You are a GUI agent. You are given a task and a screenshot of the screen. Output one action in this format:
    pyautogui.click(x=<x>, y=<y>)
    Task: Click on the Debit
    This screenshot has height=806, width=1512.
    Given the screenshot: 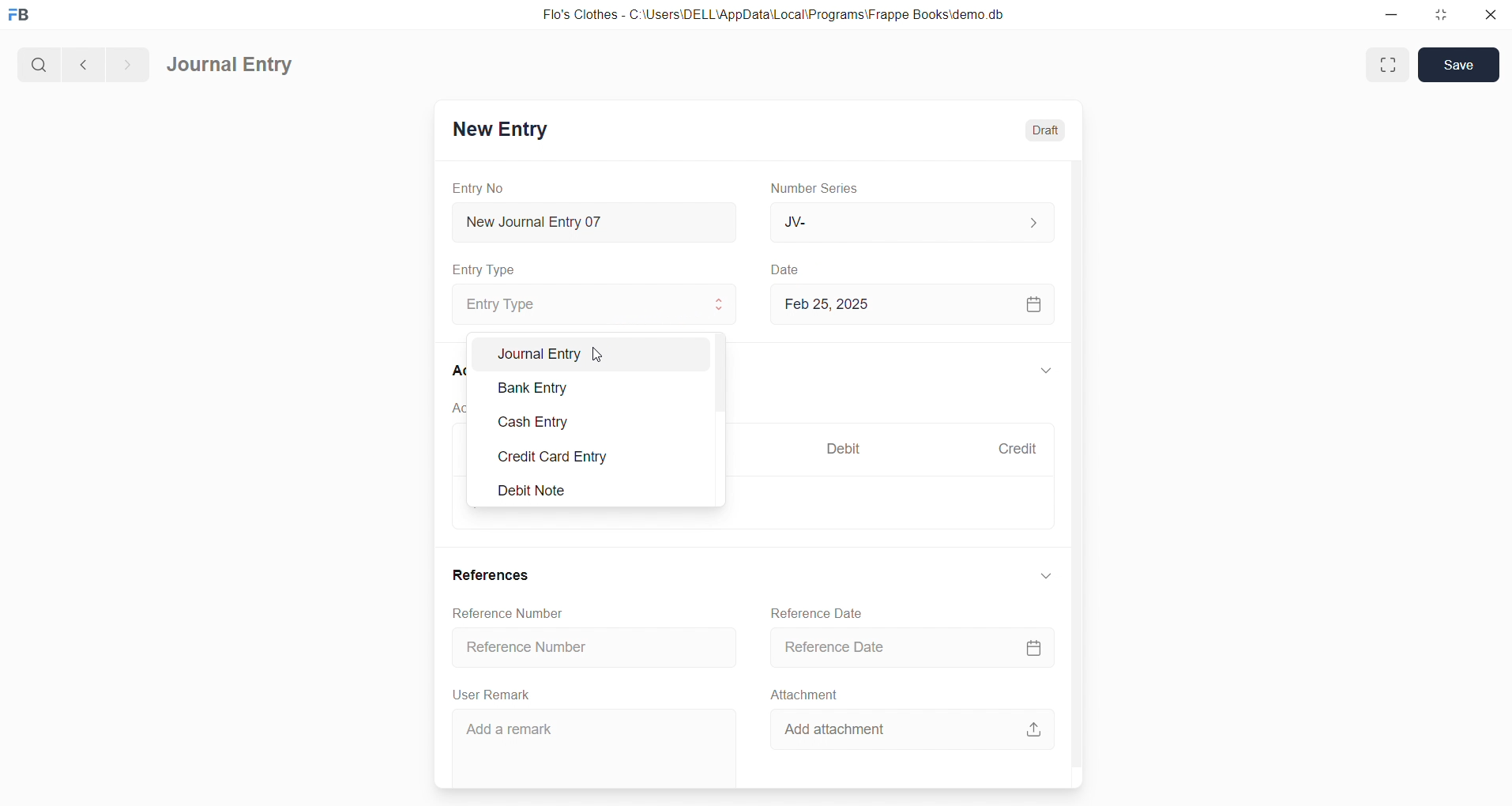 What is the action you would take?
    pyautogui.click(x=844, y=447)
    